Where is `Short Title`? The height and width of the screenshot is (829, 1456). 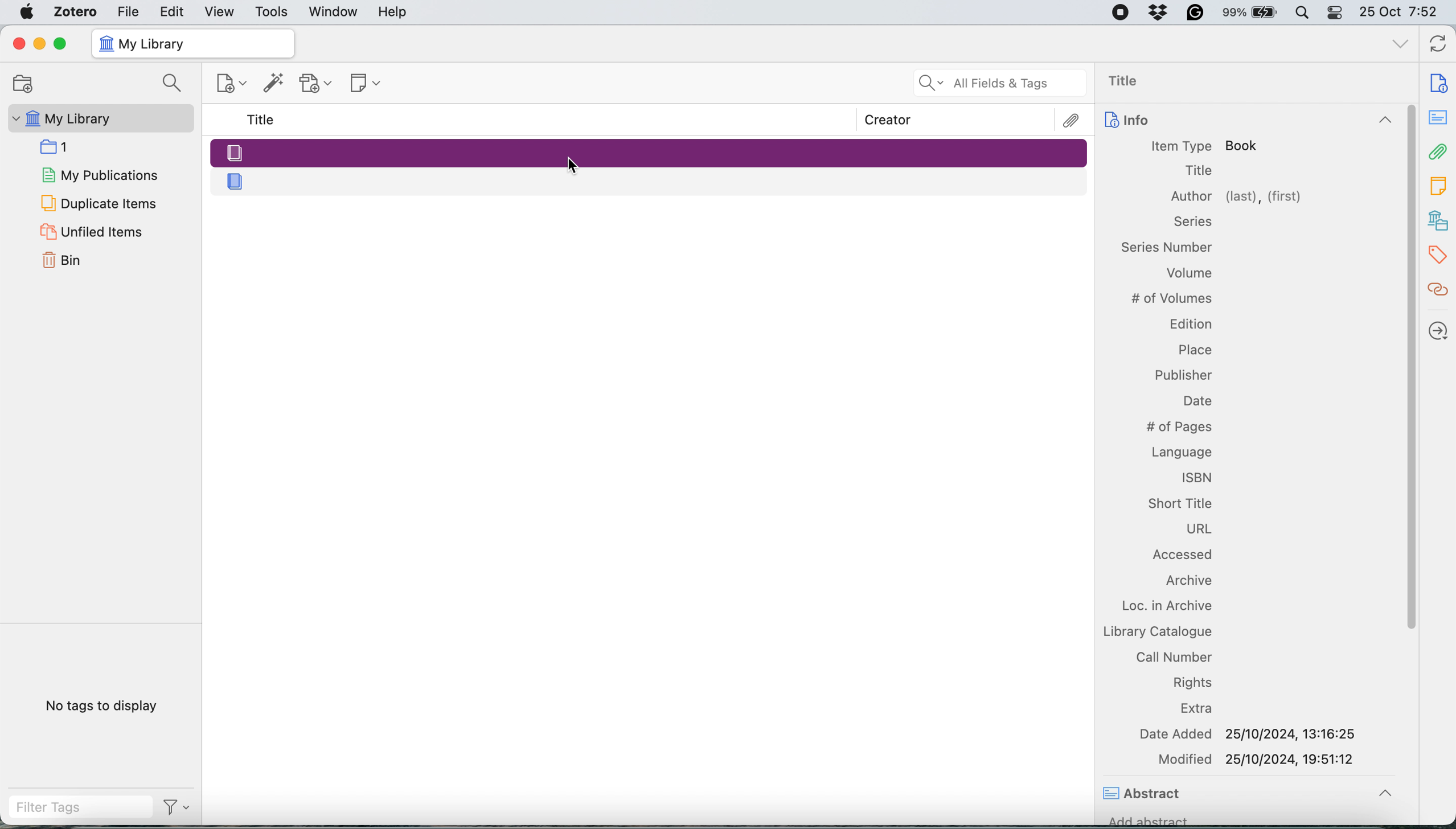
Short Title is located at coordinates (1179, 502).